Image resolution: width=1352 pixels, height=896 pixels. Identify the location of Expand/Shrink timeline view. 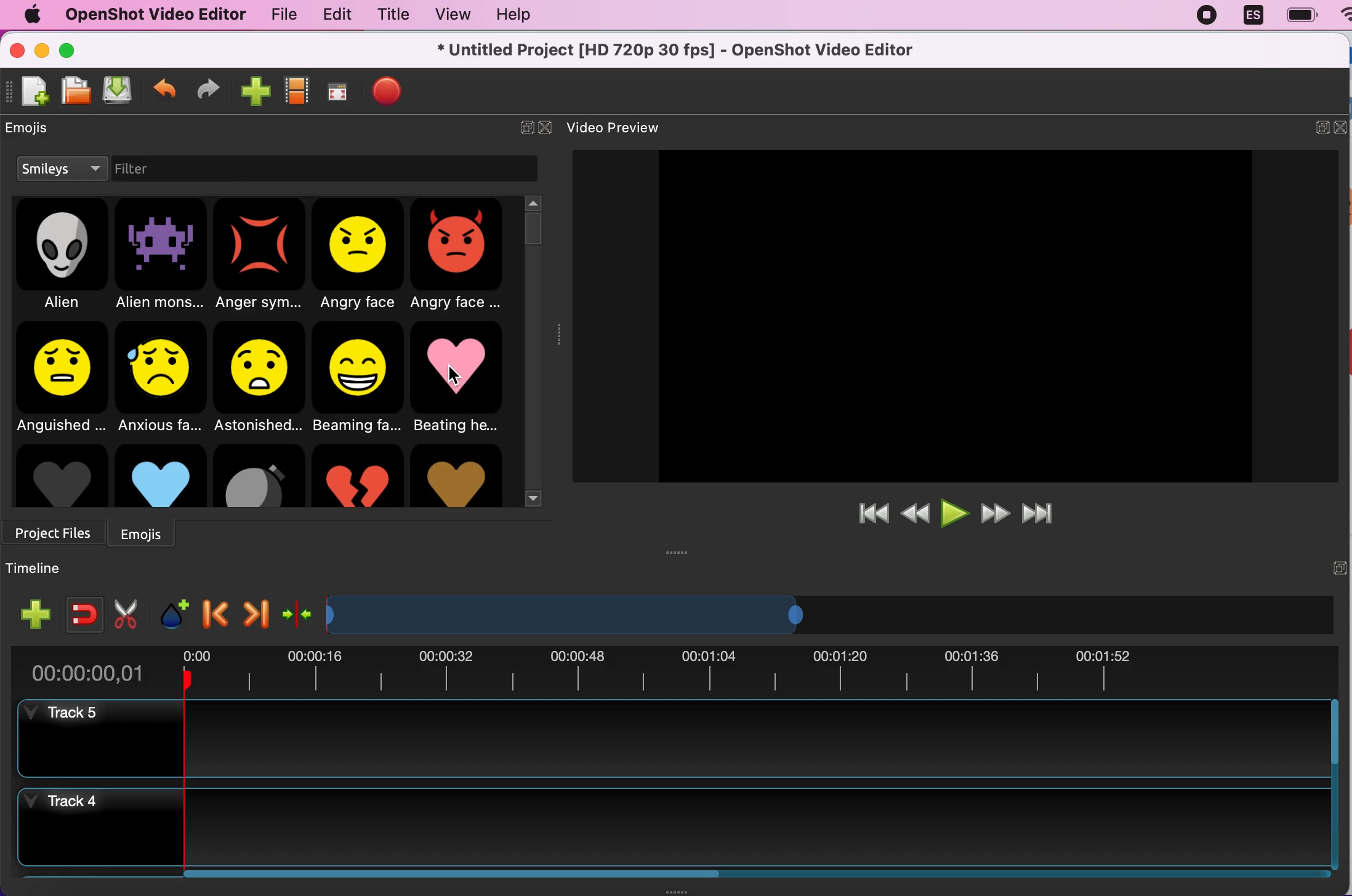
(569, 615).